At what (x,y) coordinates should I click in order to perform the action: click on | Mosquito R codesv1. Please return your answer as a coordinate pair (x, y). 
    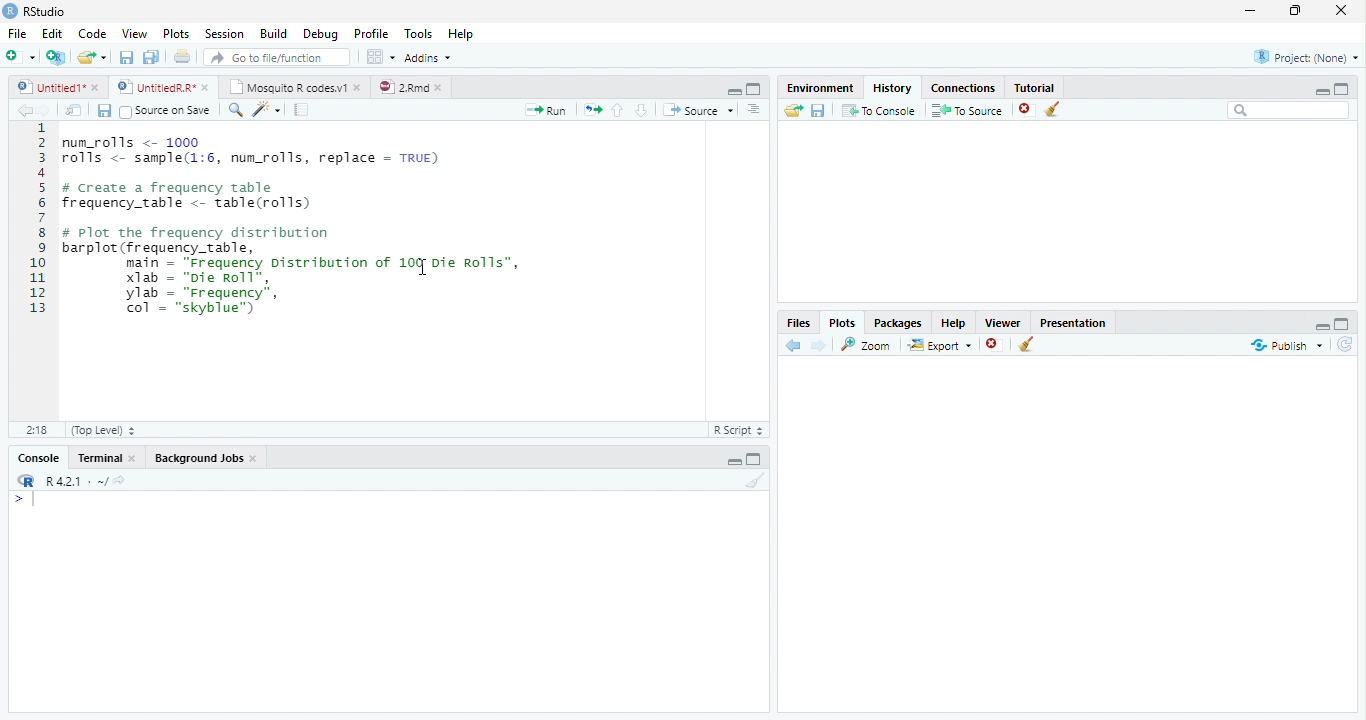
    Looking at the image, I should click on (294, 87).